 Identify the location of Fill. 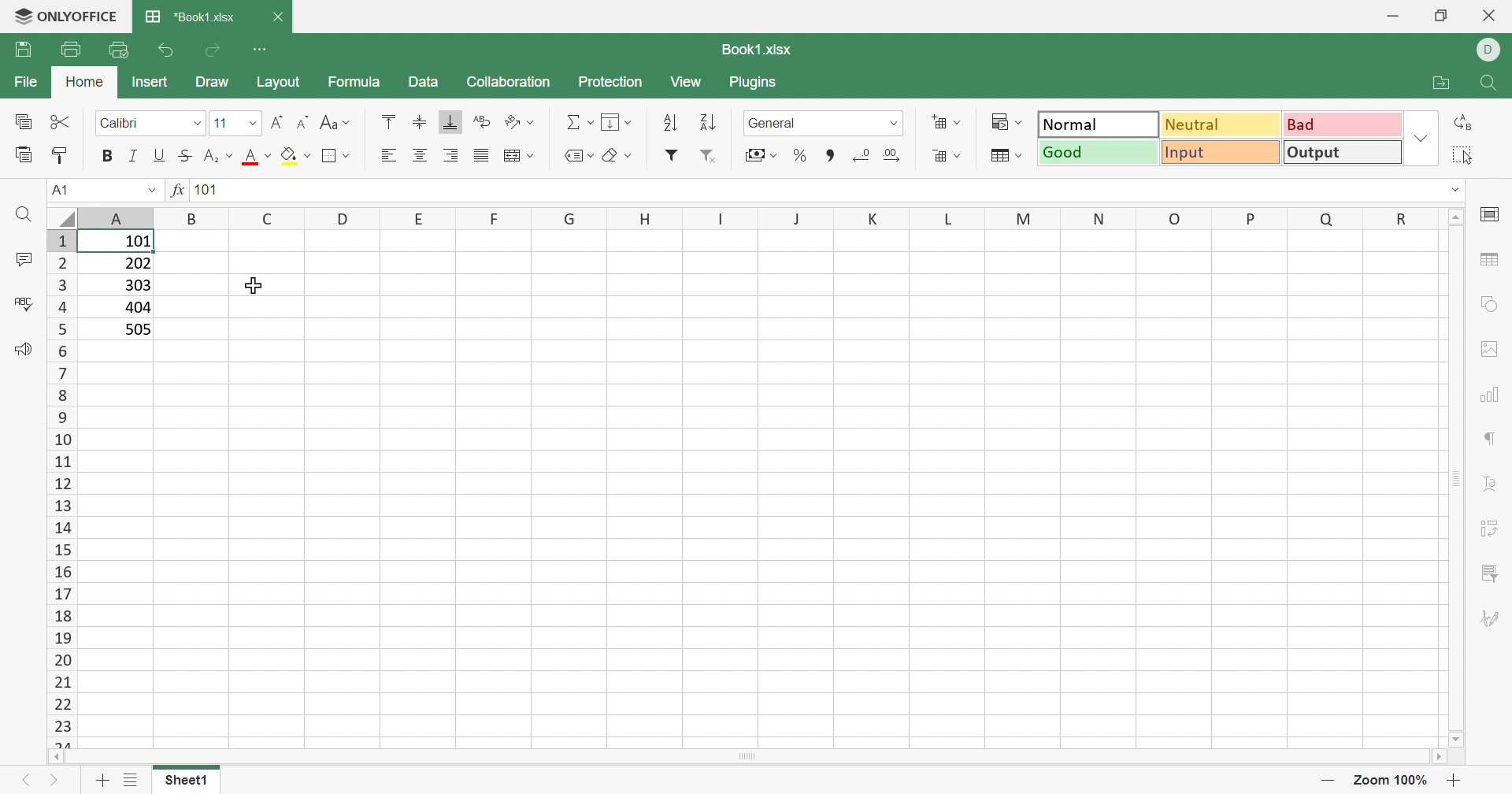
(295, 157).